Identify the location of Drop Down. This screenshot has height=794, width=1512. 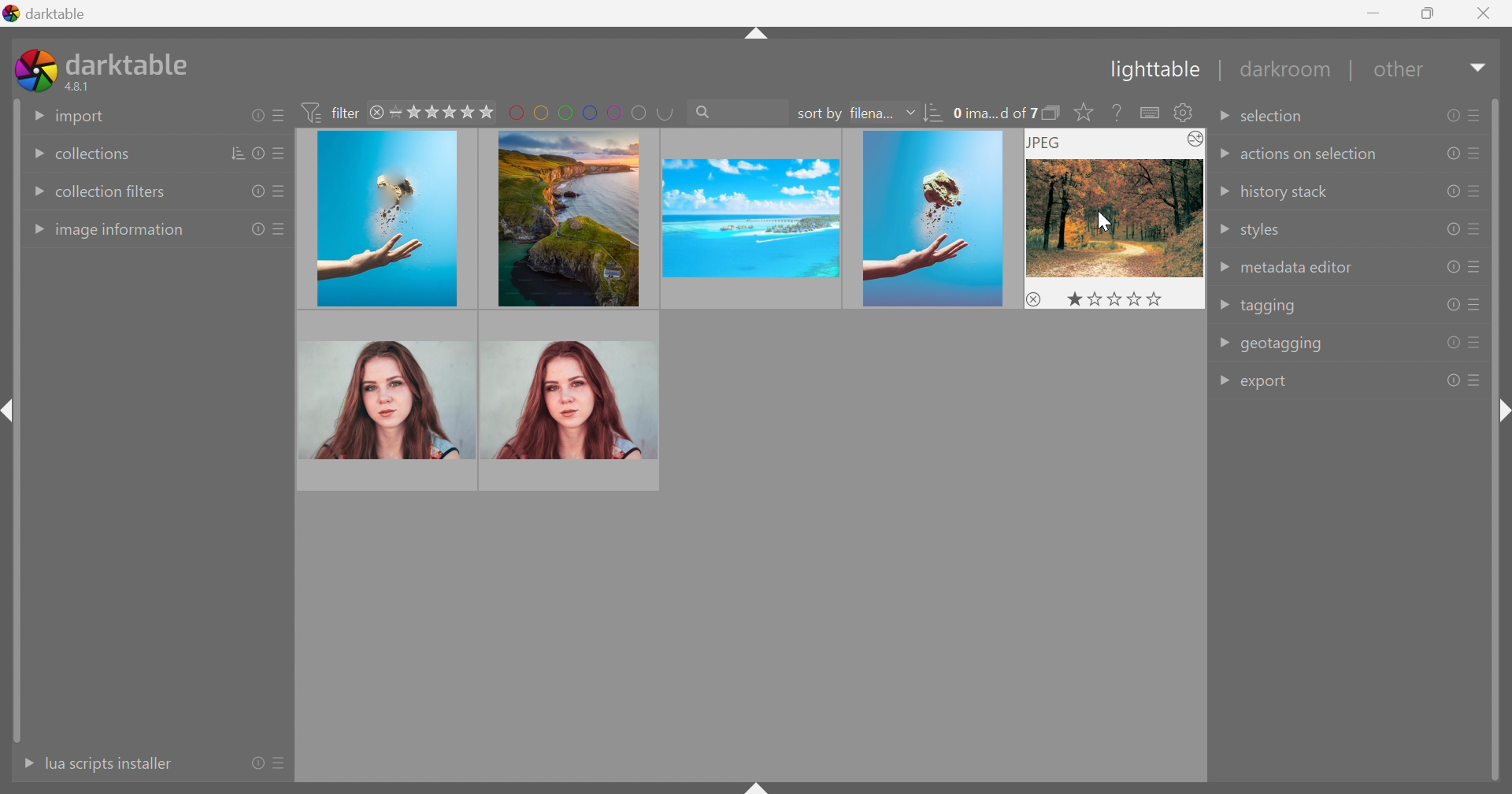
(1221, 380).